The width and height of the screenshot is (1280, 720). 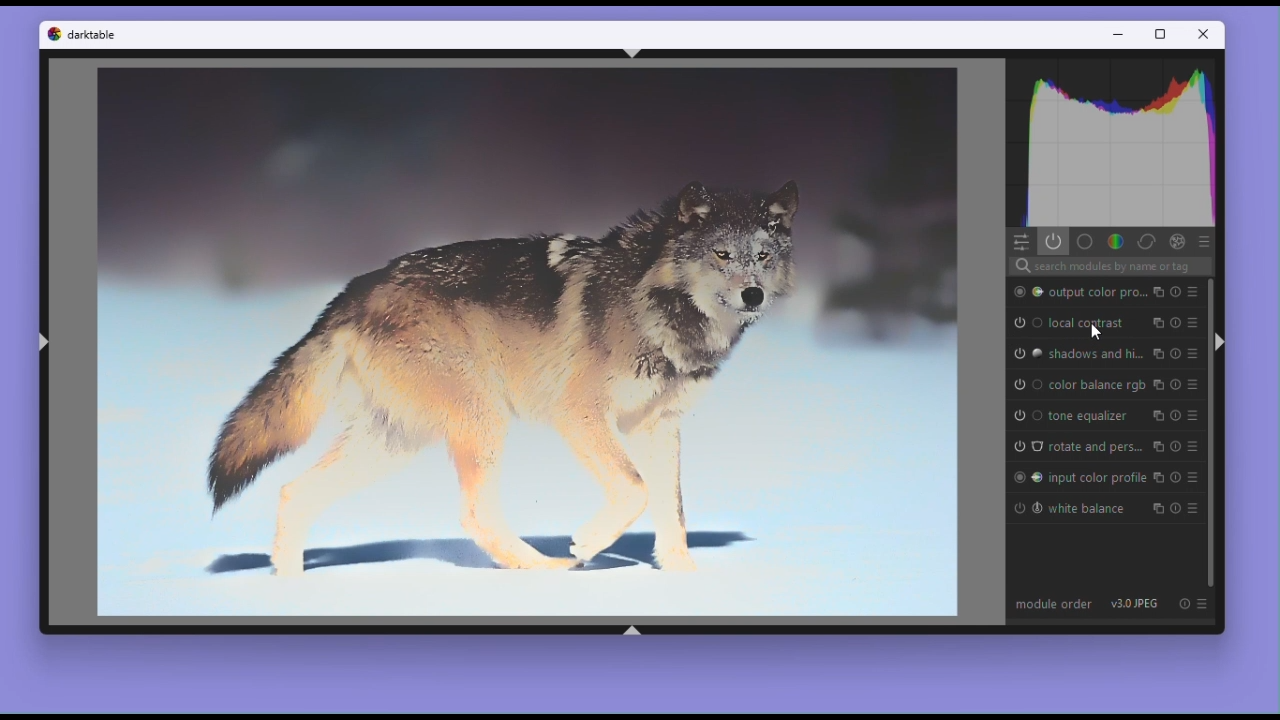 What do you see at coordinates (1108, 266) in the screenshot?
I see `Search module by name or page` at bounding box center [1108, 266].